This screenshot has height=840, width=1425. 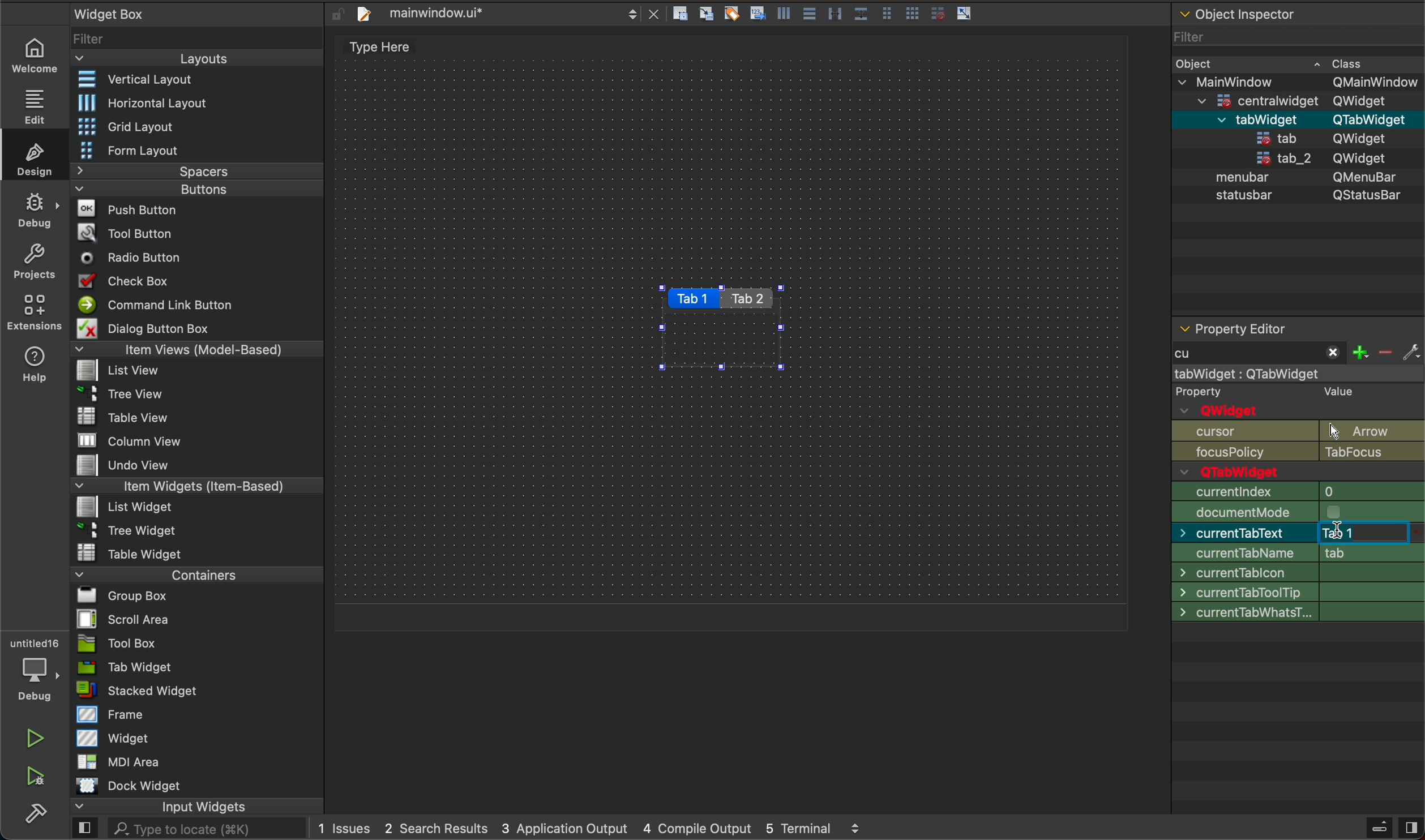 I want to click on mainwindow, so click(x=1300, y=373).